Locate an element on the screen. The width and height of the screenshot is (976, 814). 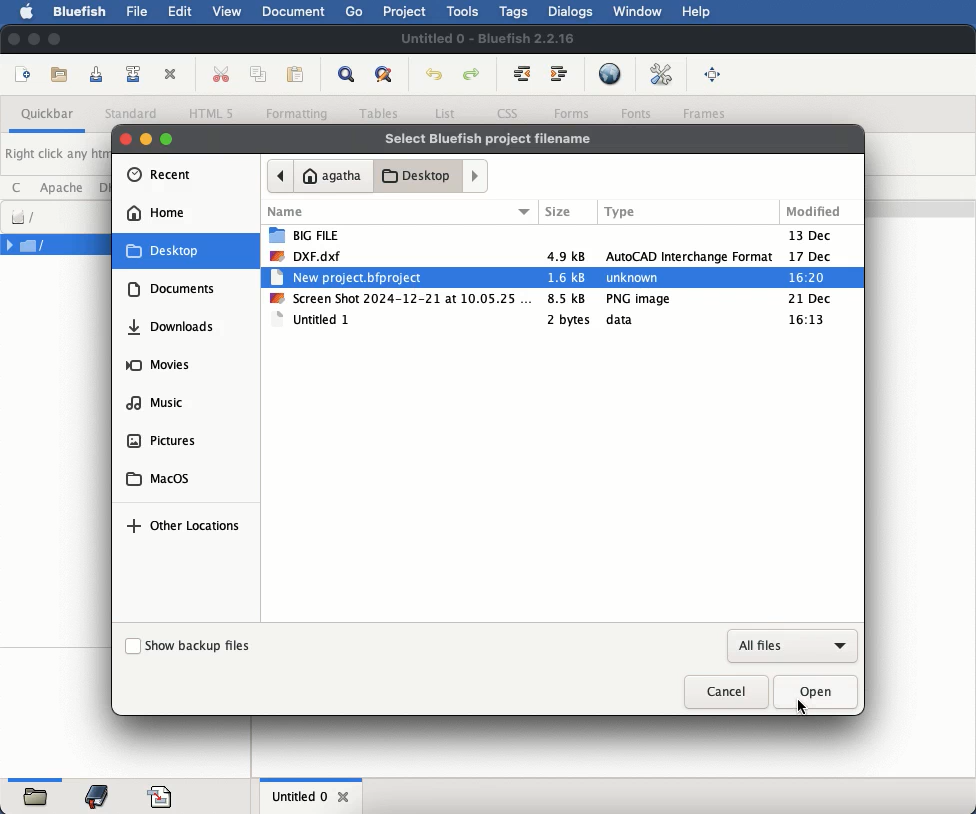
cancel is located at coordinates (725, 691).